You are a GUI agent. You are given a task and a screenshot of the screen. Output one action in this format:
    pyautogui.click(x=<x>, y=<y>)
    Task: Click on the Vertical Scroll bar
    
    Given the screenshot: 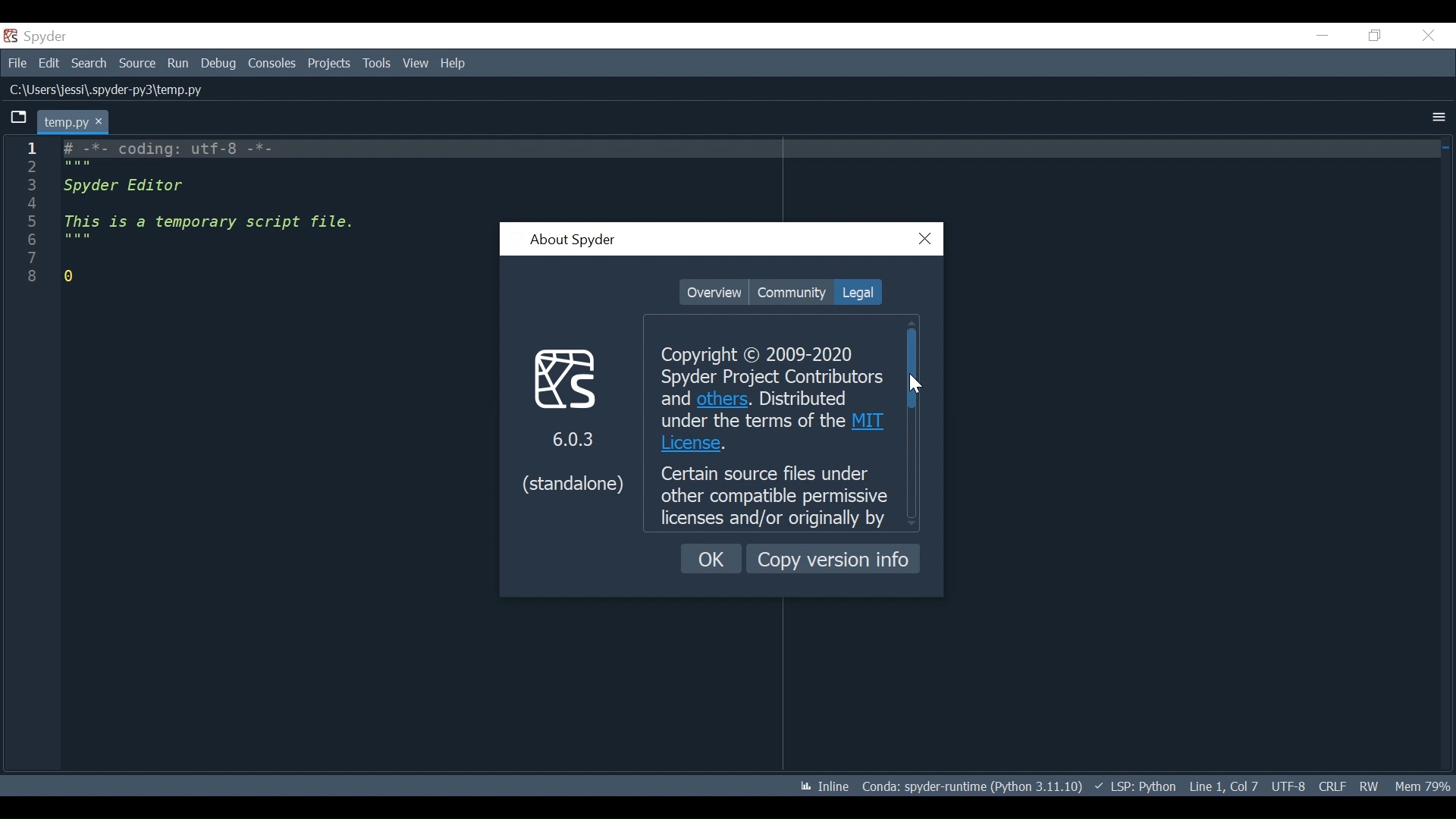 What is the action you would take?
    pyautogui.click(x=912, y=368)
    